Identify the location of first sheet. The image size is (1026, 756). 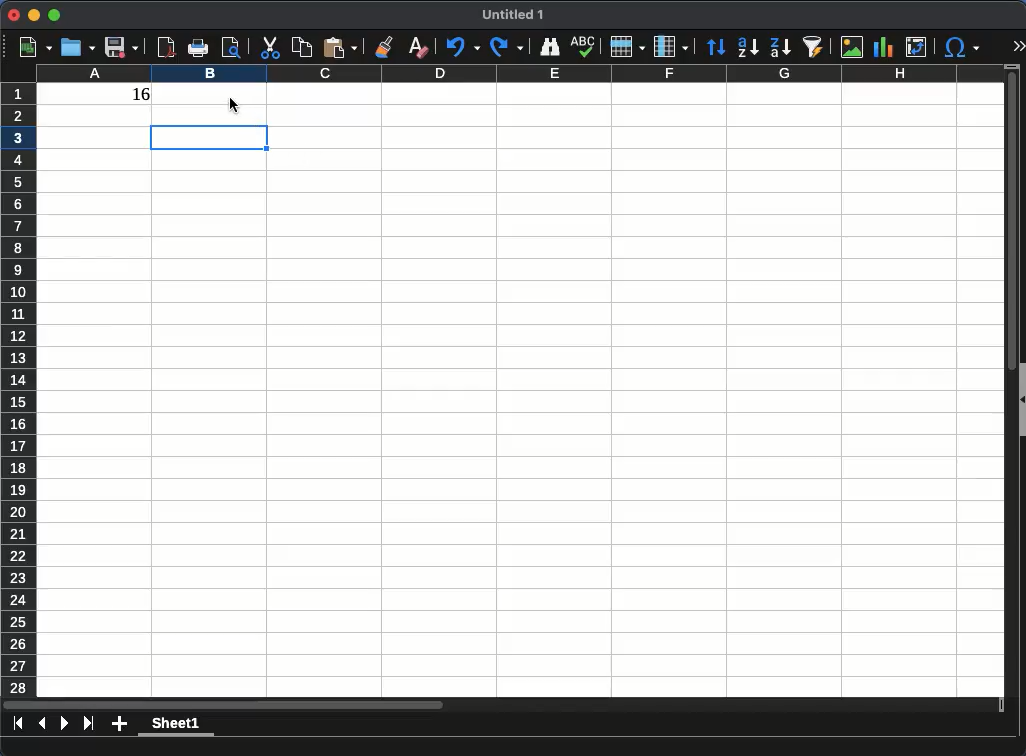
(19, 723).